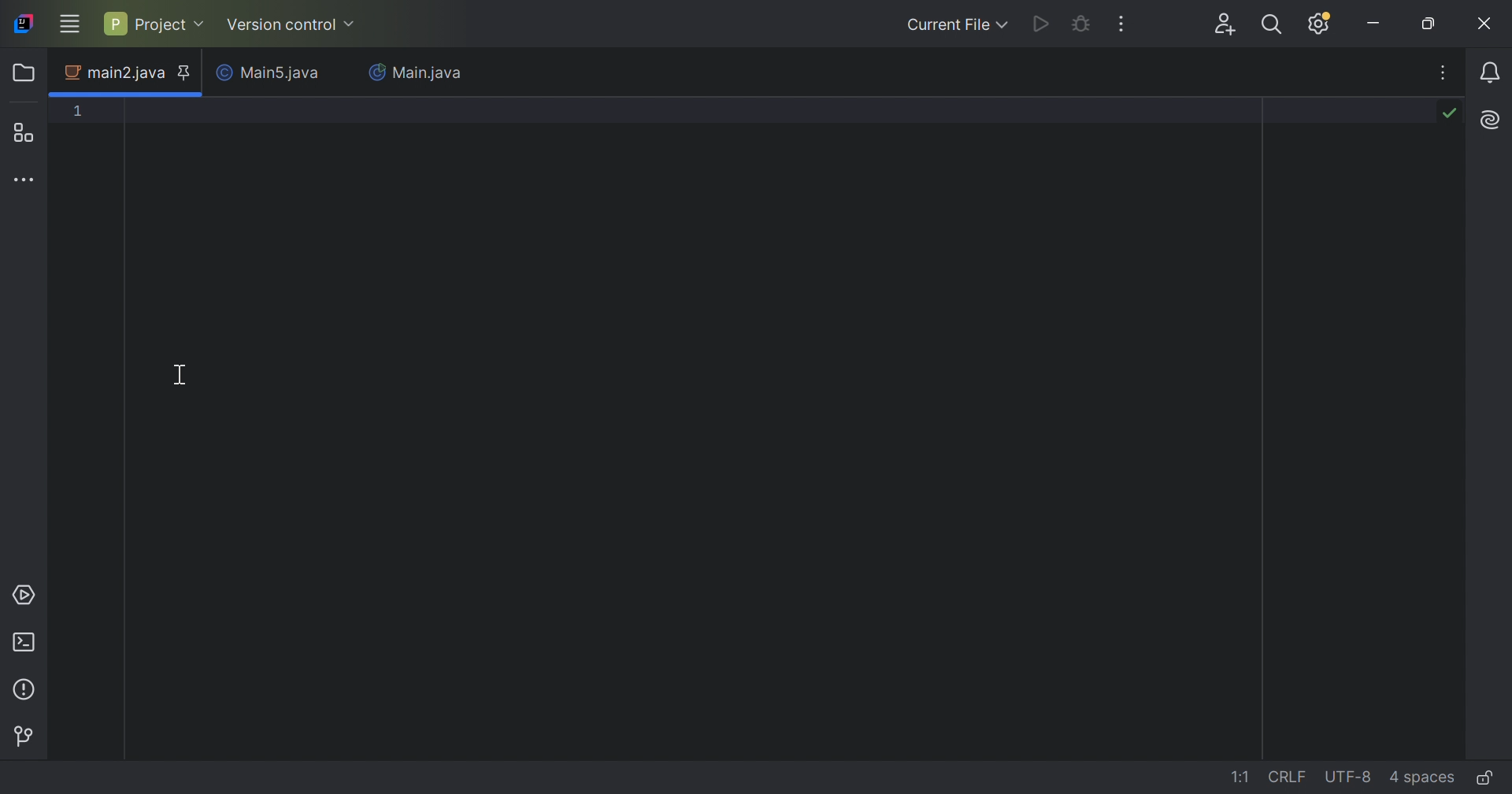 Image resolution: width=1512 pixels, height=794 pixels. Describe the element at coordinates (26, 132) in the screenshot. I see `Structure` at that location.